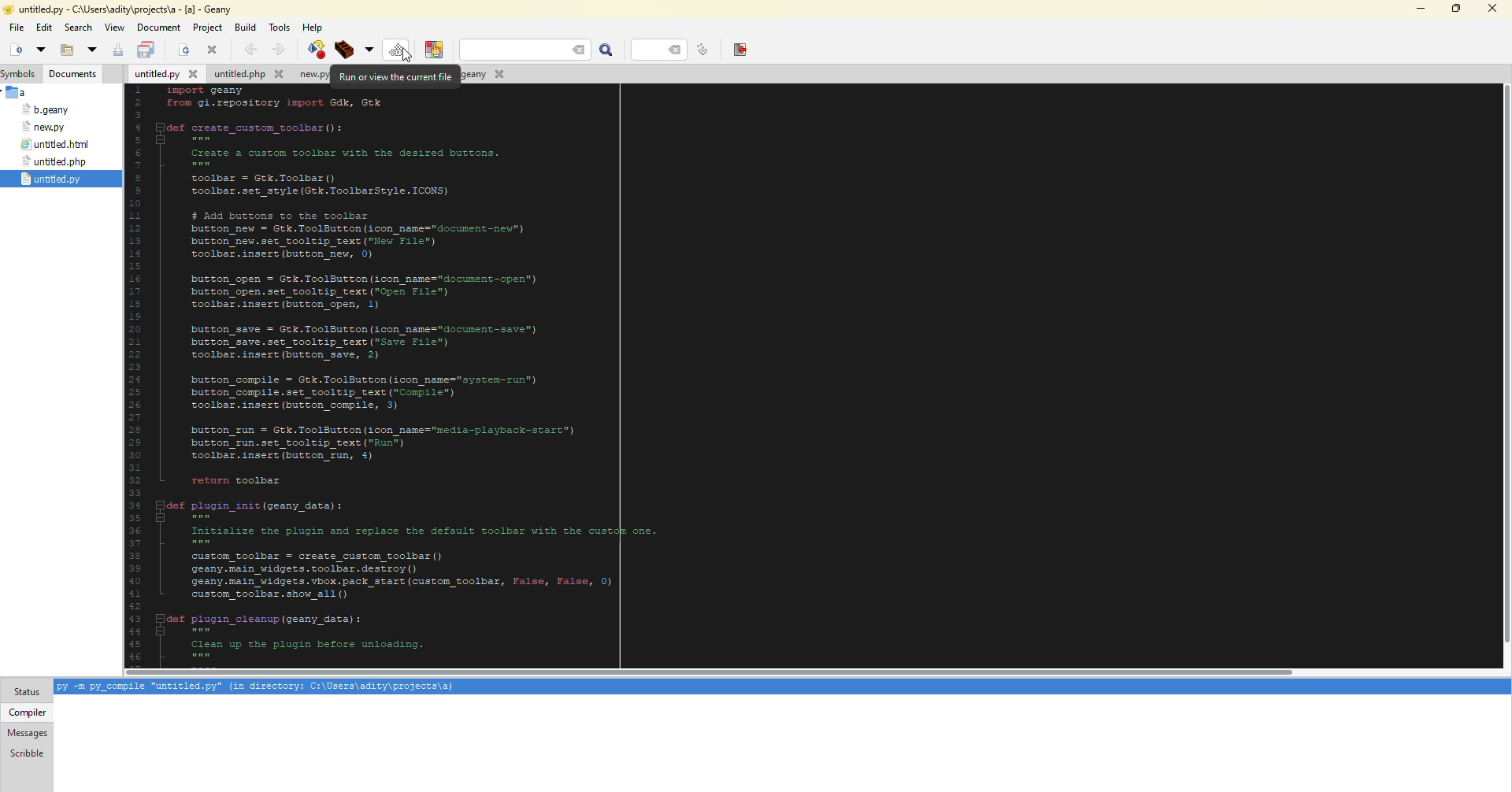 This screenshot has width=1512, height=792. I want to click on open, so click(41, 50).